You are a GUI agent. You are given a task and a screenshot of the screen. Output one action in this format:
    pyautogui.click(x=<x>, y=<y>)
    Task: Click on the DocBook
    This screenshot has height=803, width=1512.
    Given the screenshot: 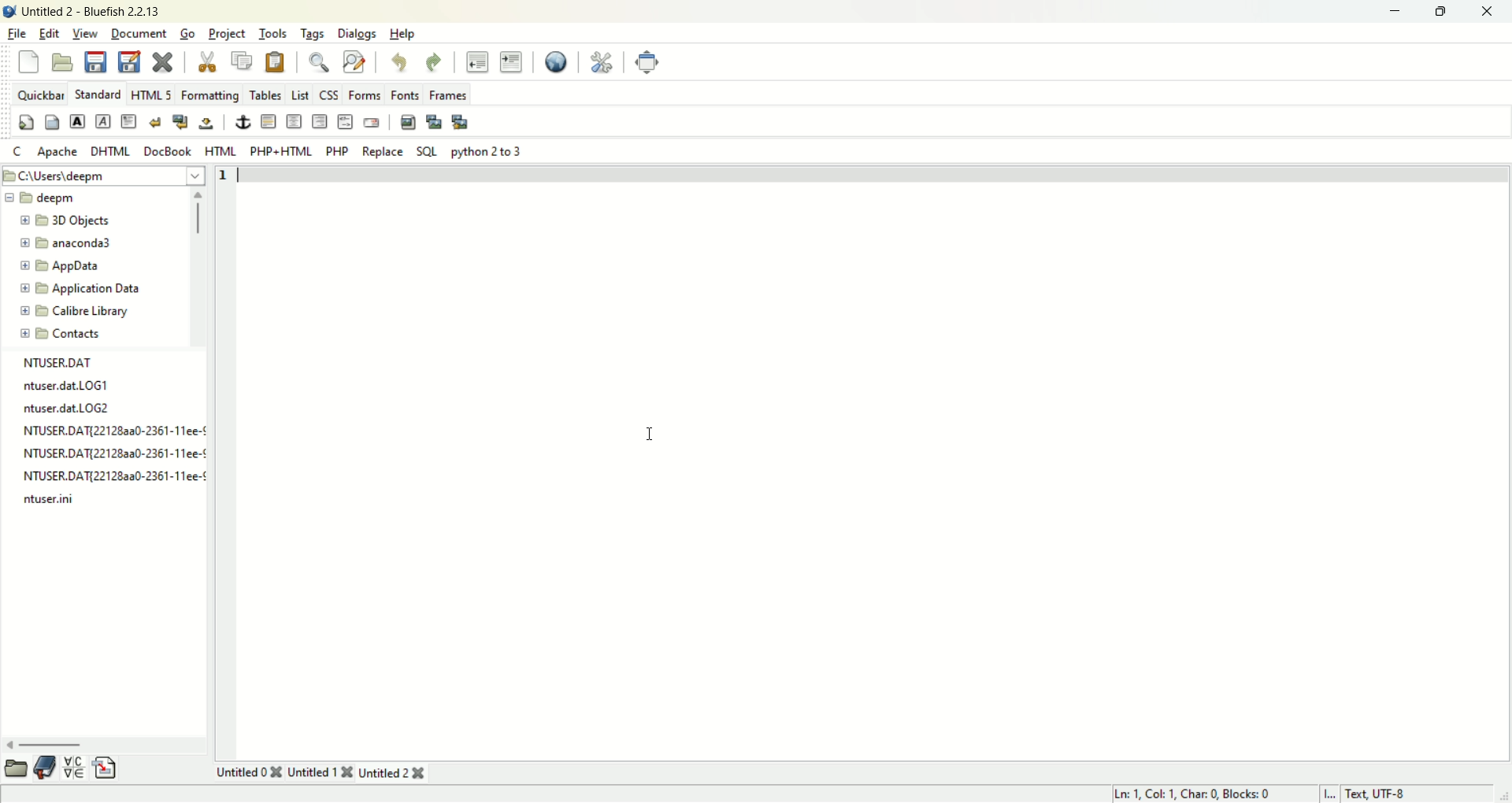 What is the action you would take?
    pyautogui.click(x=168, y=152)
    